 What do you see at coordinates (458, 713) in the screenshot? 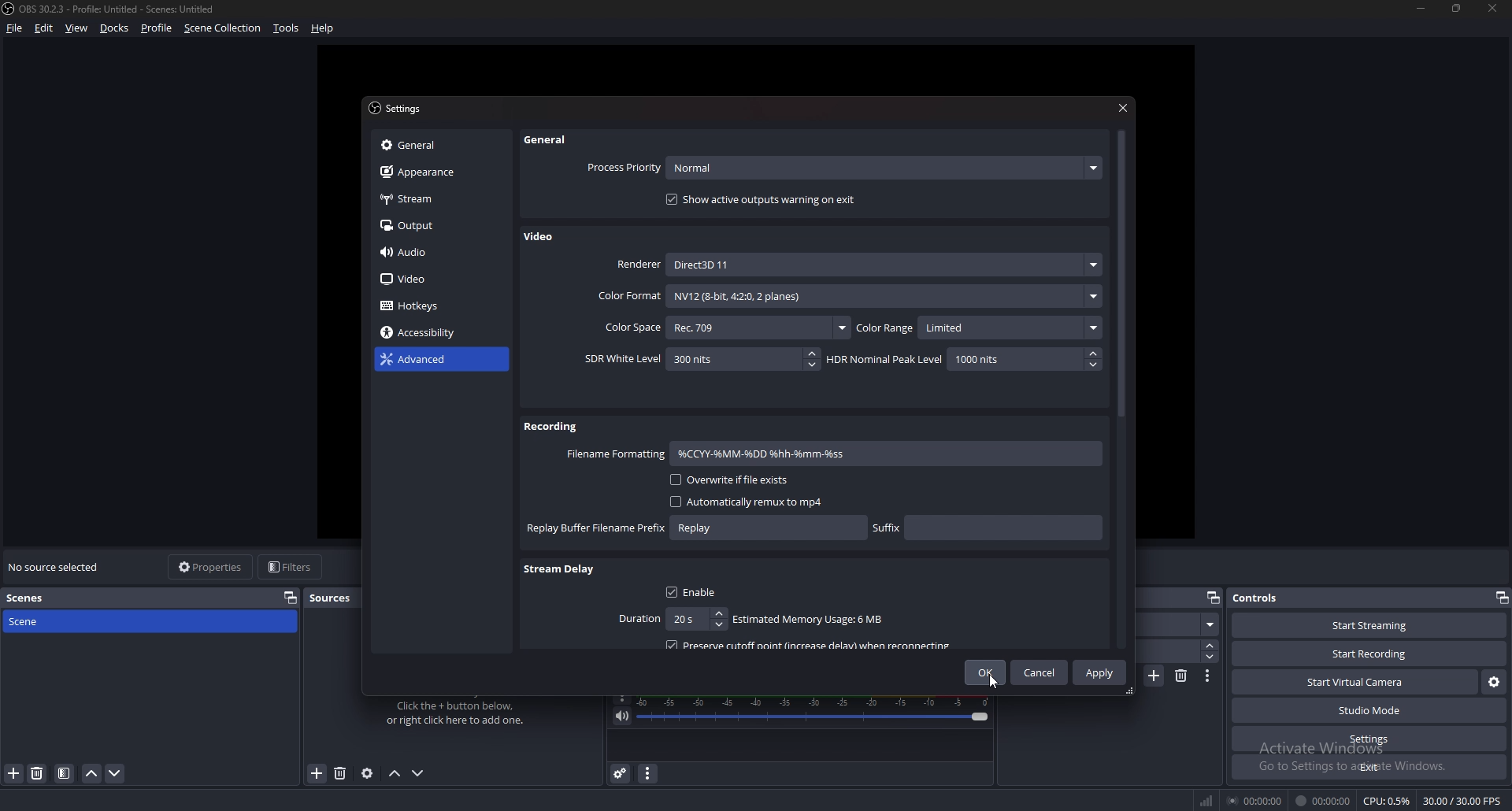
I see `Click the + button below. or right click here to add one.` at bounding box center [458, 713].